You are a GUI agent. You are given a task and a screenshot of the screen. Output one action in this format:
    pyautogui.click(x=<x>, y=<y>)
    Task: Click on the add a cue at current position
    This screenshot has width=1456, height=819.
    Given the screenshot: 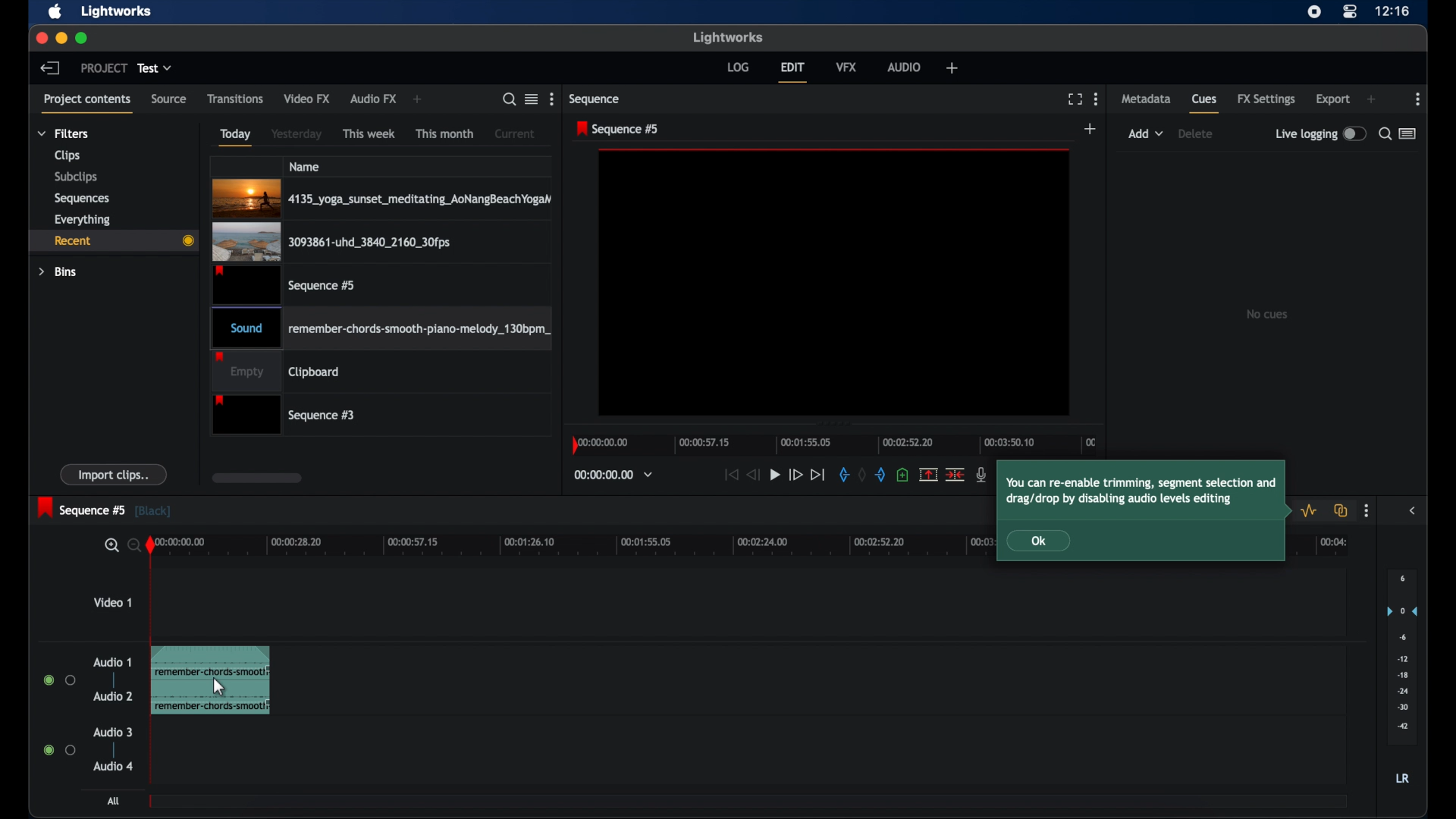 What is the action you would take?
    pyautogui.click(x=902, y=475)
    